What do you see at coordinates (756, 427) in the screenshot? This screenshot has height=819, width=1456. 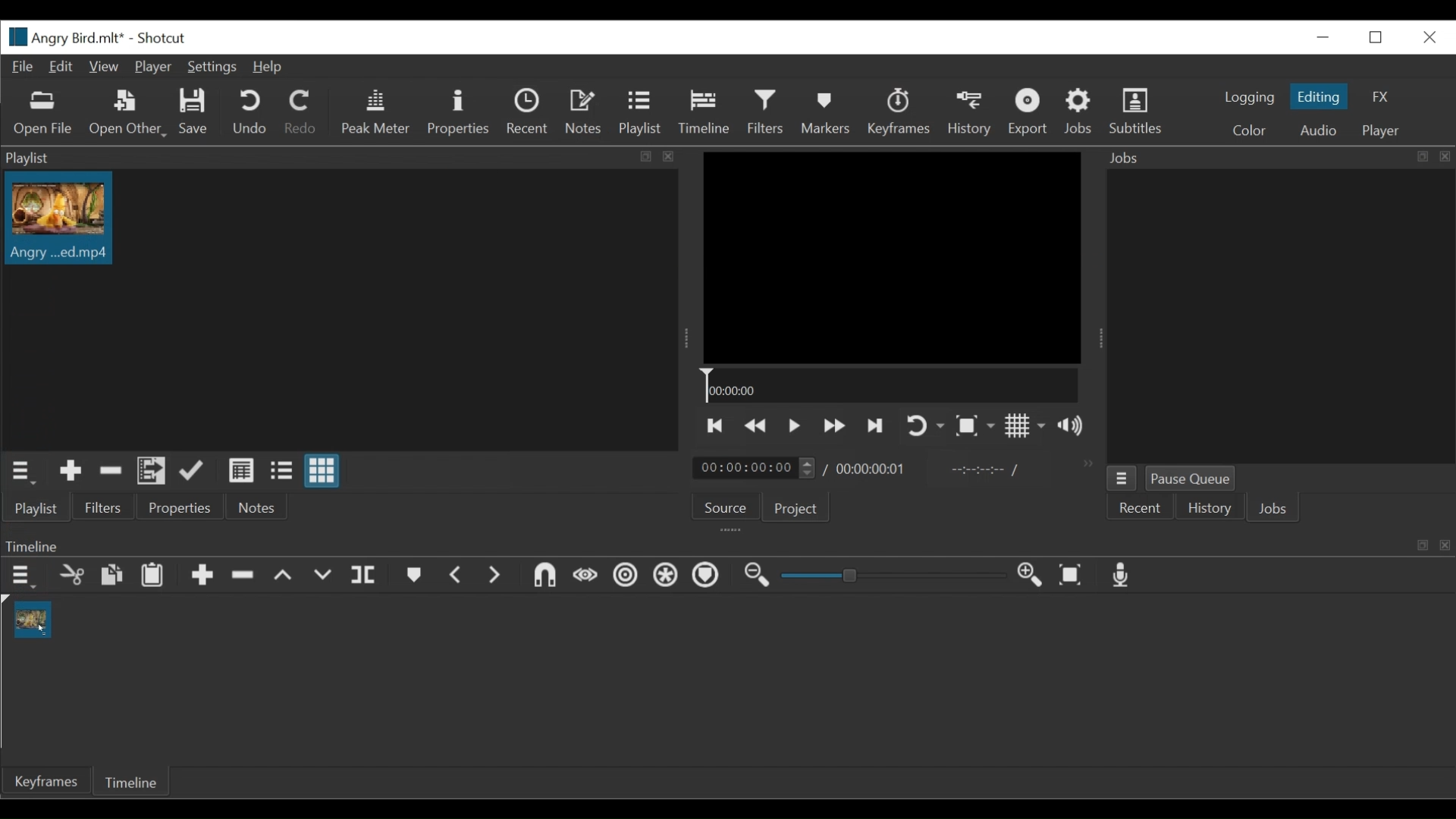 I see `Play backward quickly` at bounding box center [756, 427].